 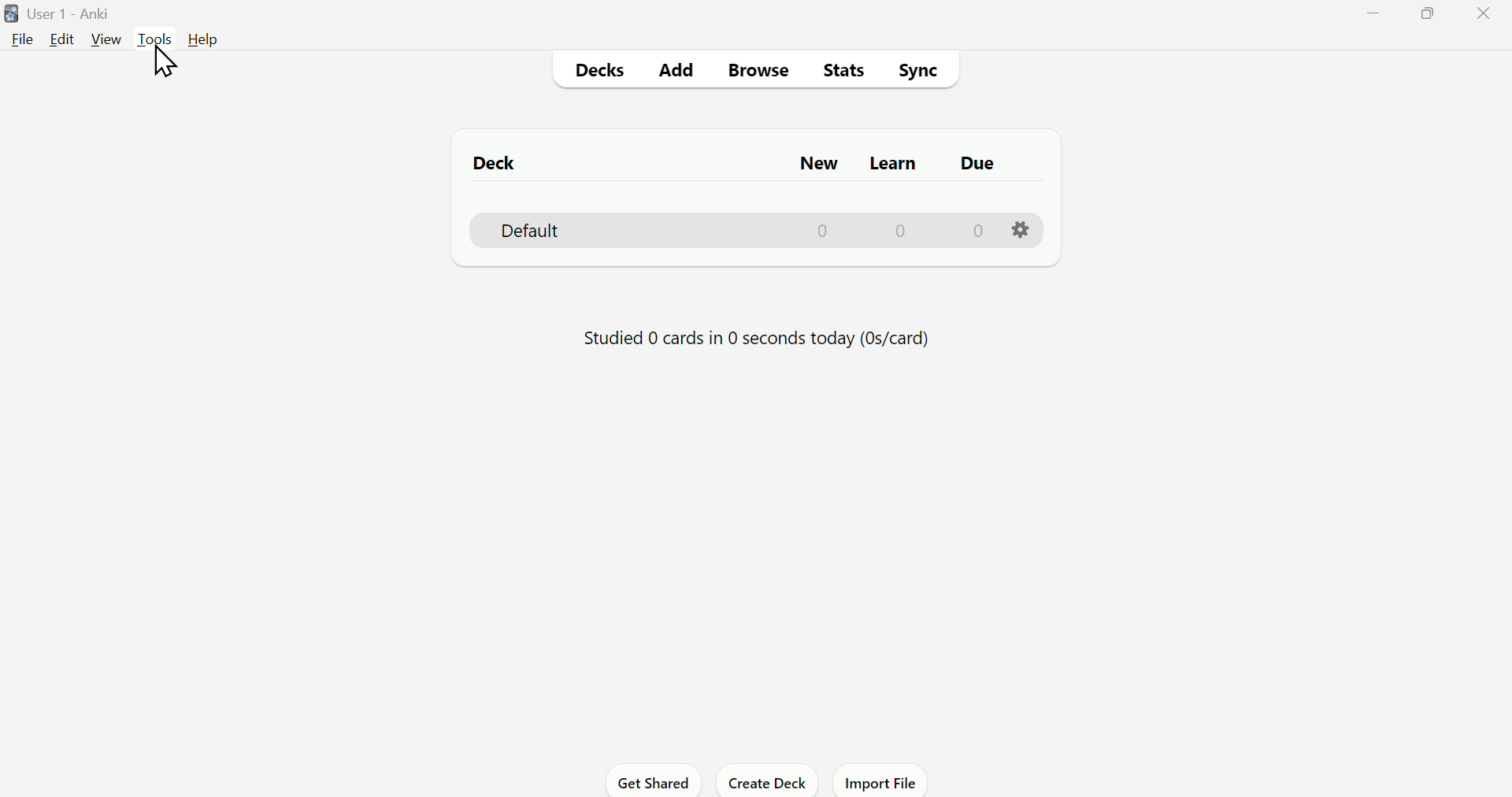 What do you see at coordinates (521, 229) in the screenshot?
I see `Default` at bounding box center [521, 229].